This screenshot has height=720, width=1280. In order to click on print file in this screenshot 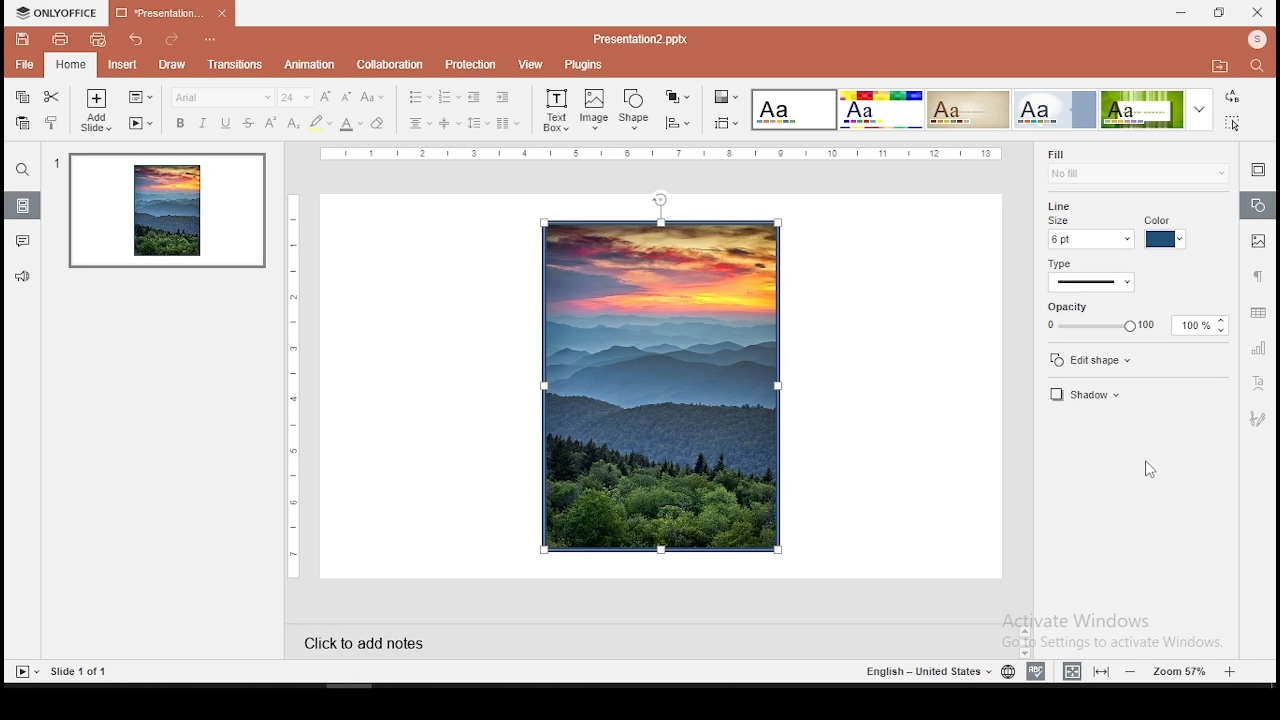, I will do `click(54, 39)`.